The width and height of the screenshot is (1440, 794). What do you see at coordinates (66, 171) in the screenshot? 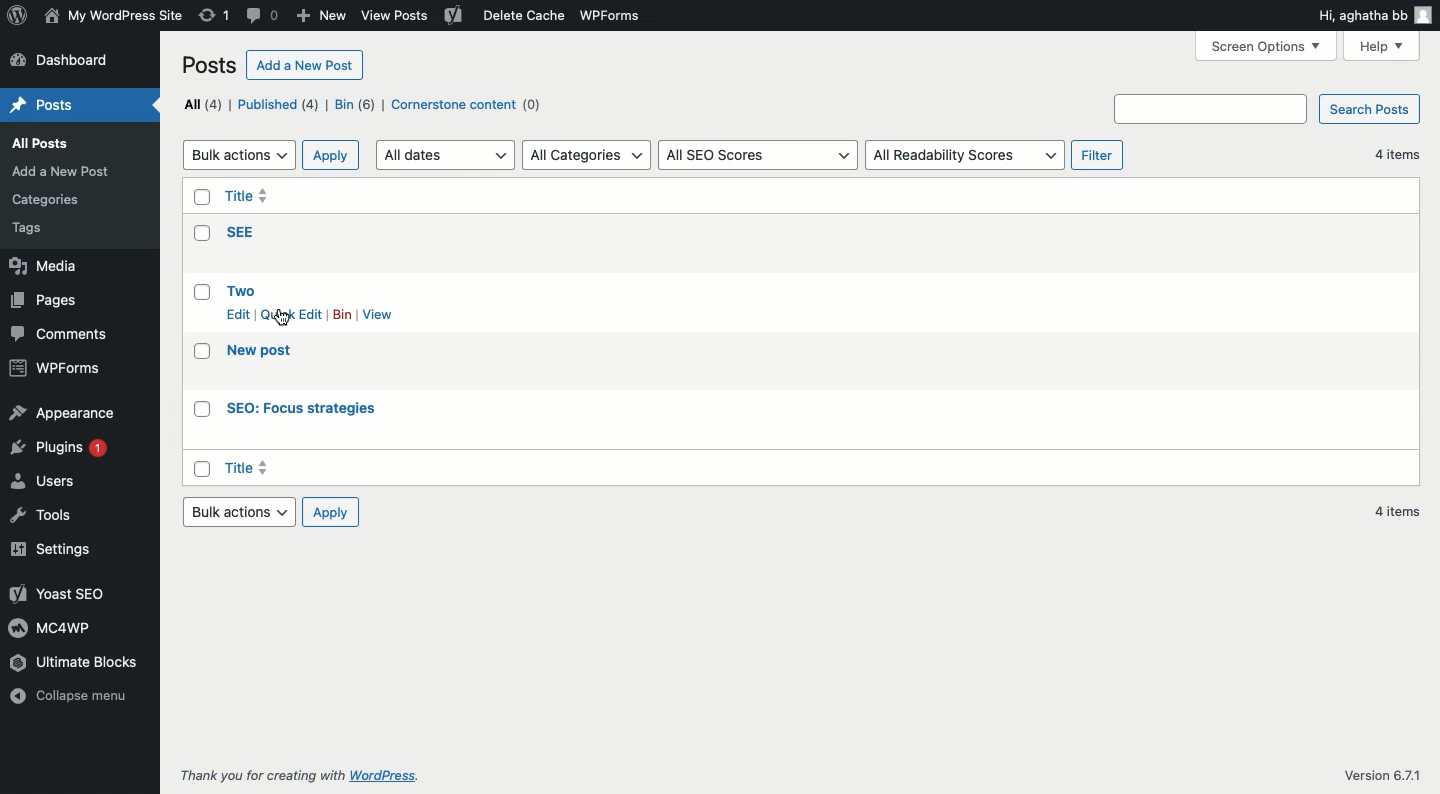
I see `Add a new post` at bounding box center [66, 171].